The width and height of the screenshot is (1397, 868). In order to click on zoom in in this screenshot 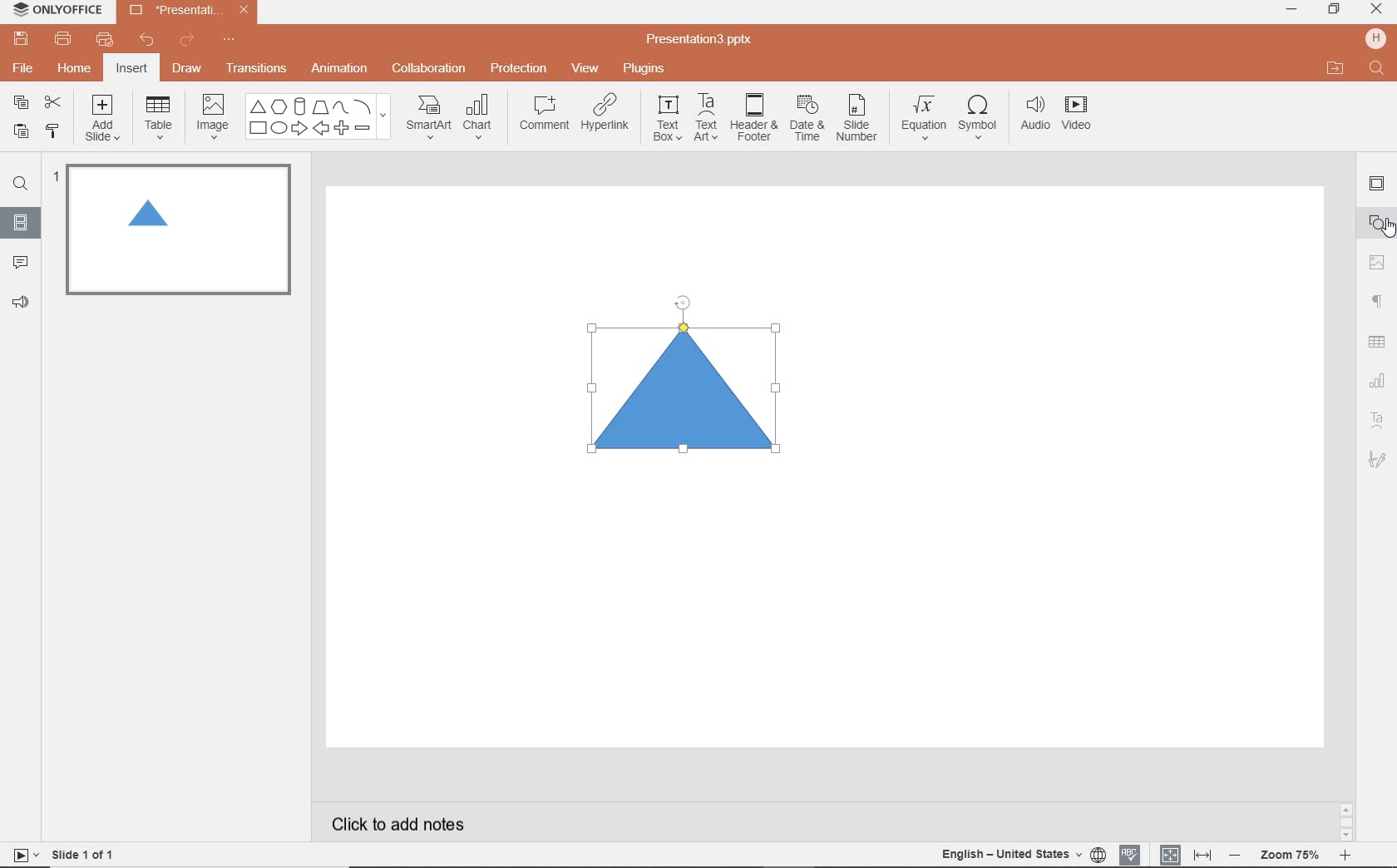, I will do `click(1345, 857)`.